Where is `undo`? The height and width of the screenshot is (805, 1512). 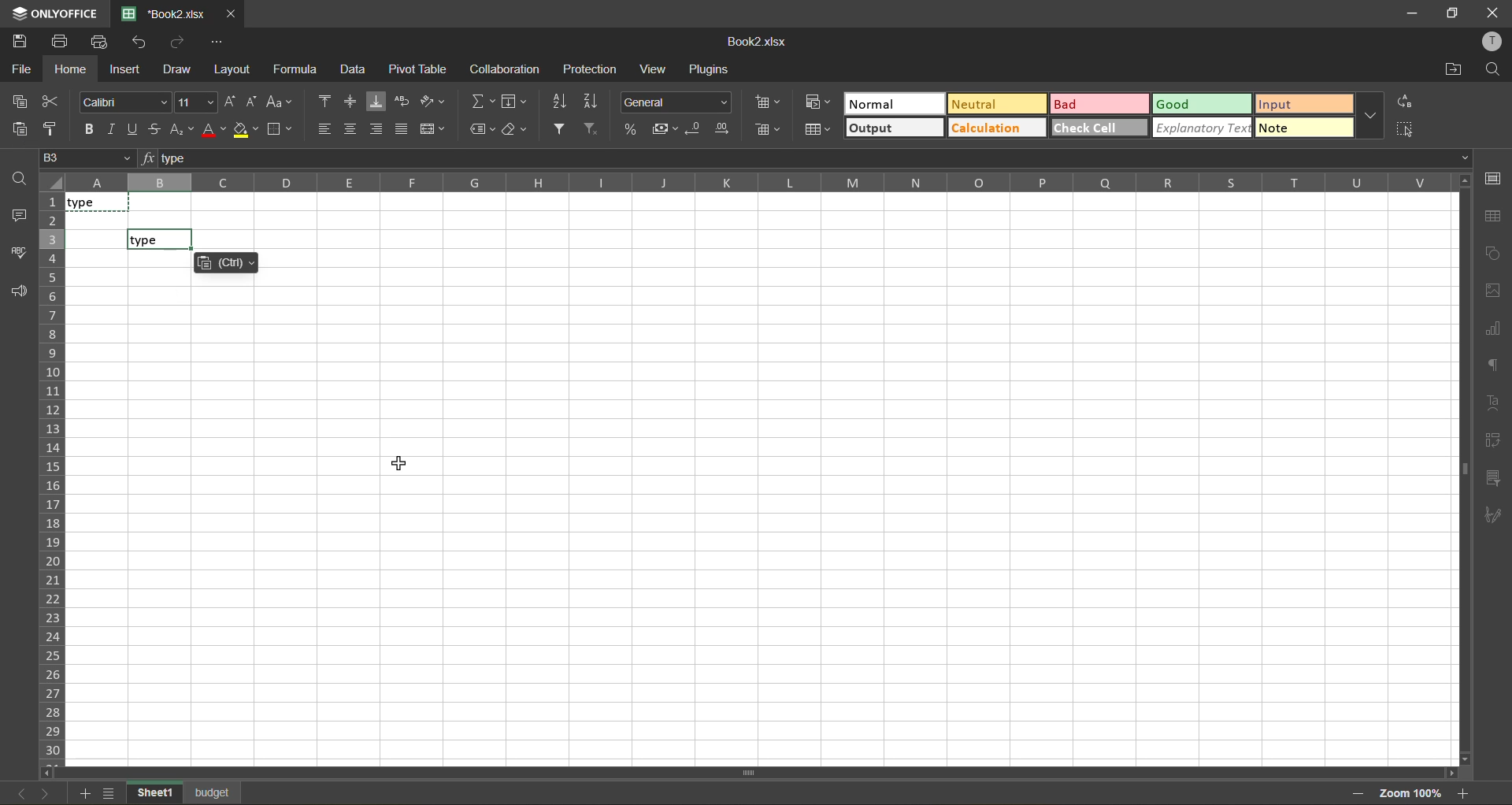 undo is located at coordinates (140, 43).